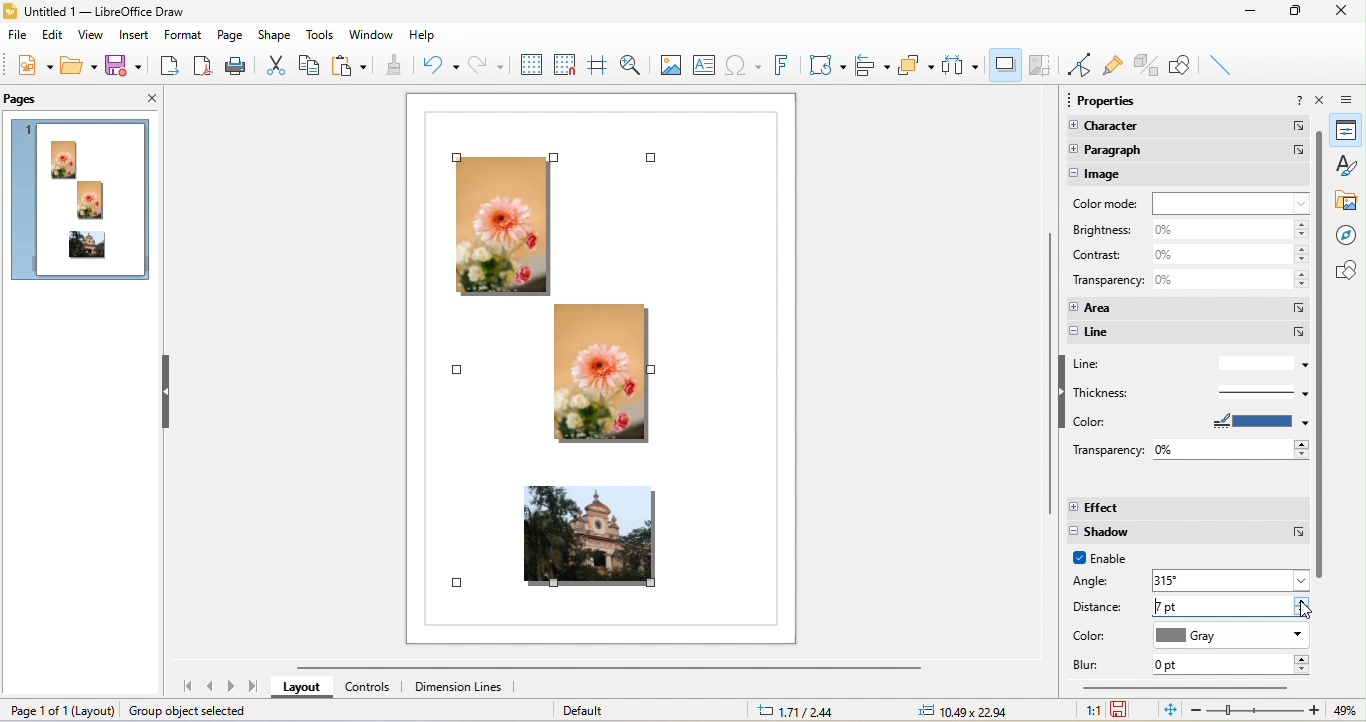 This screenshot has width=1366, height=722. I want to click on close, so click(1323, 100).